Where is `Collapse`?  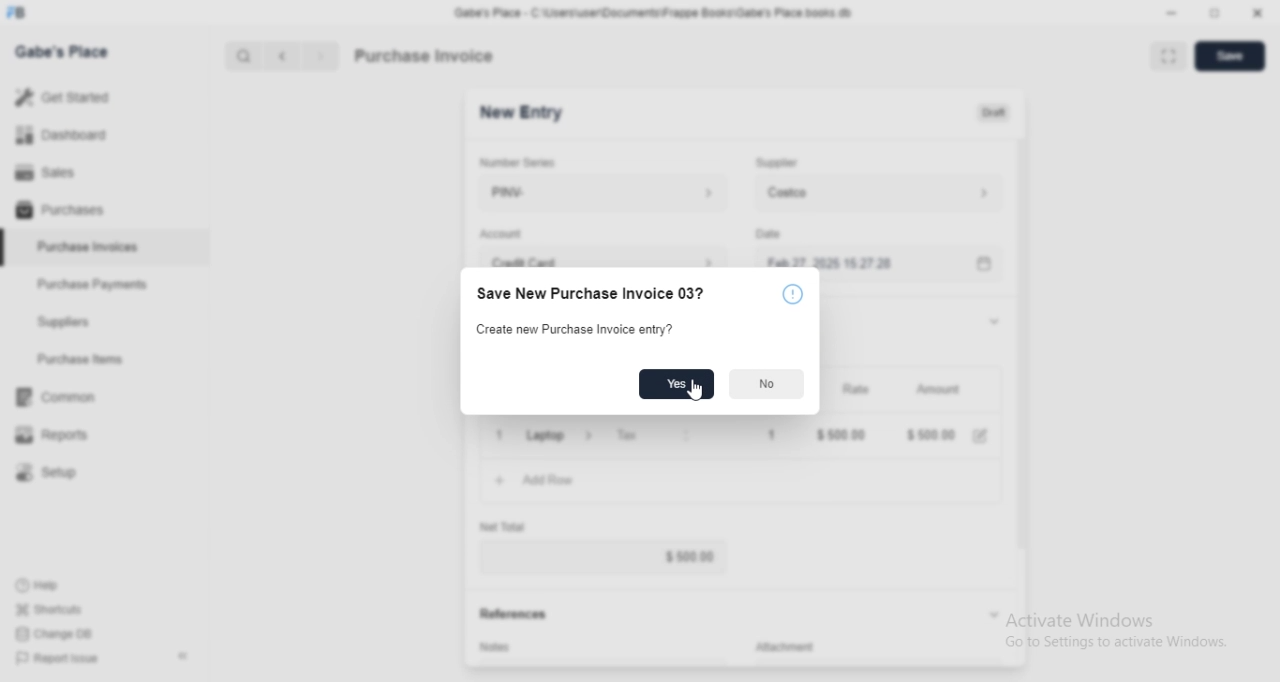 Collapse is located at coordinates (994, 321).